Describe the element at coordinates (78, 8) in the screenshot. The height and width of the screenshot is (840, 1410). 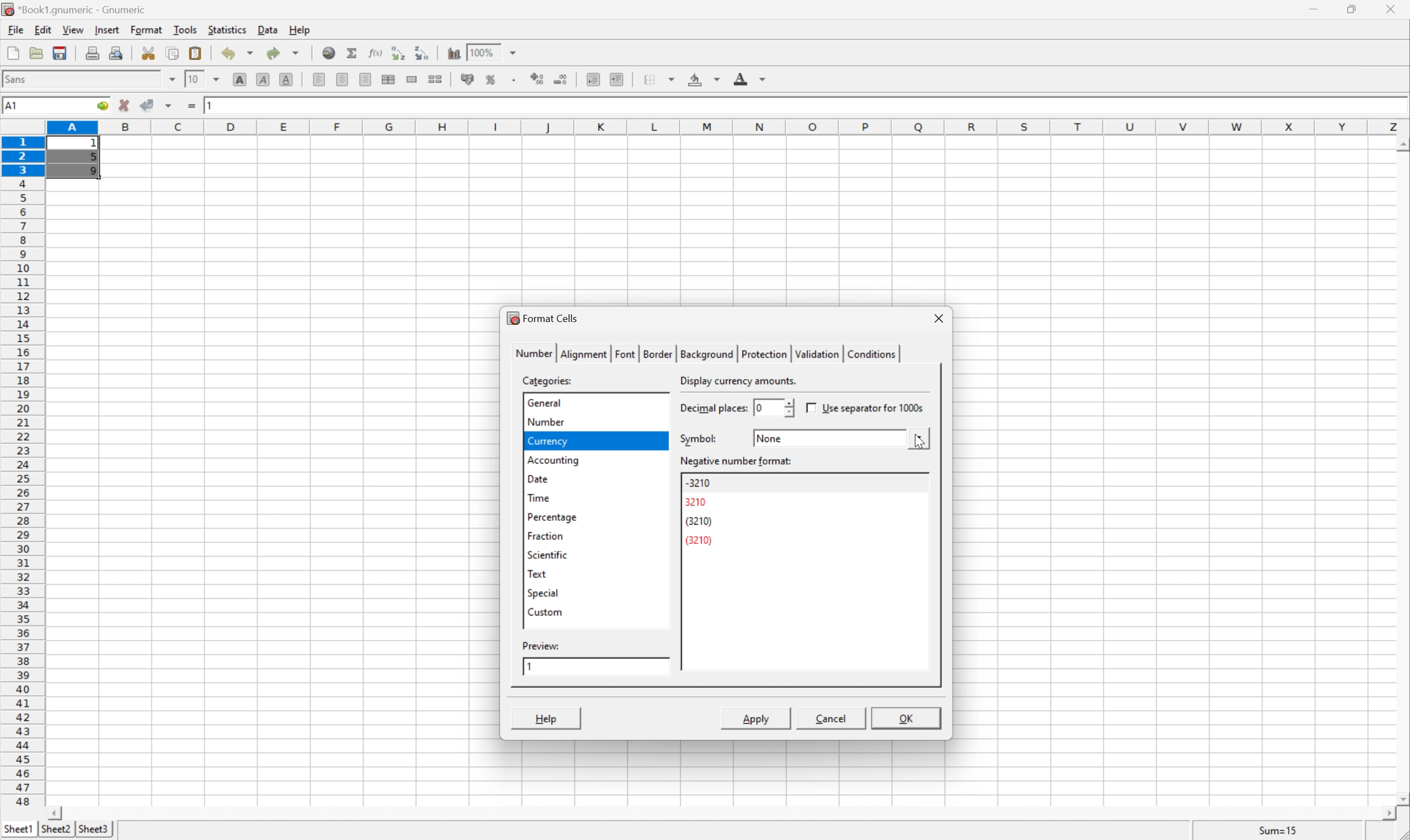
I see `application name` at that location.